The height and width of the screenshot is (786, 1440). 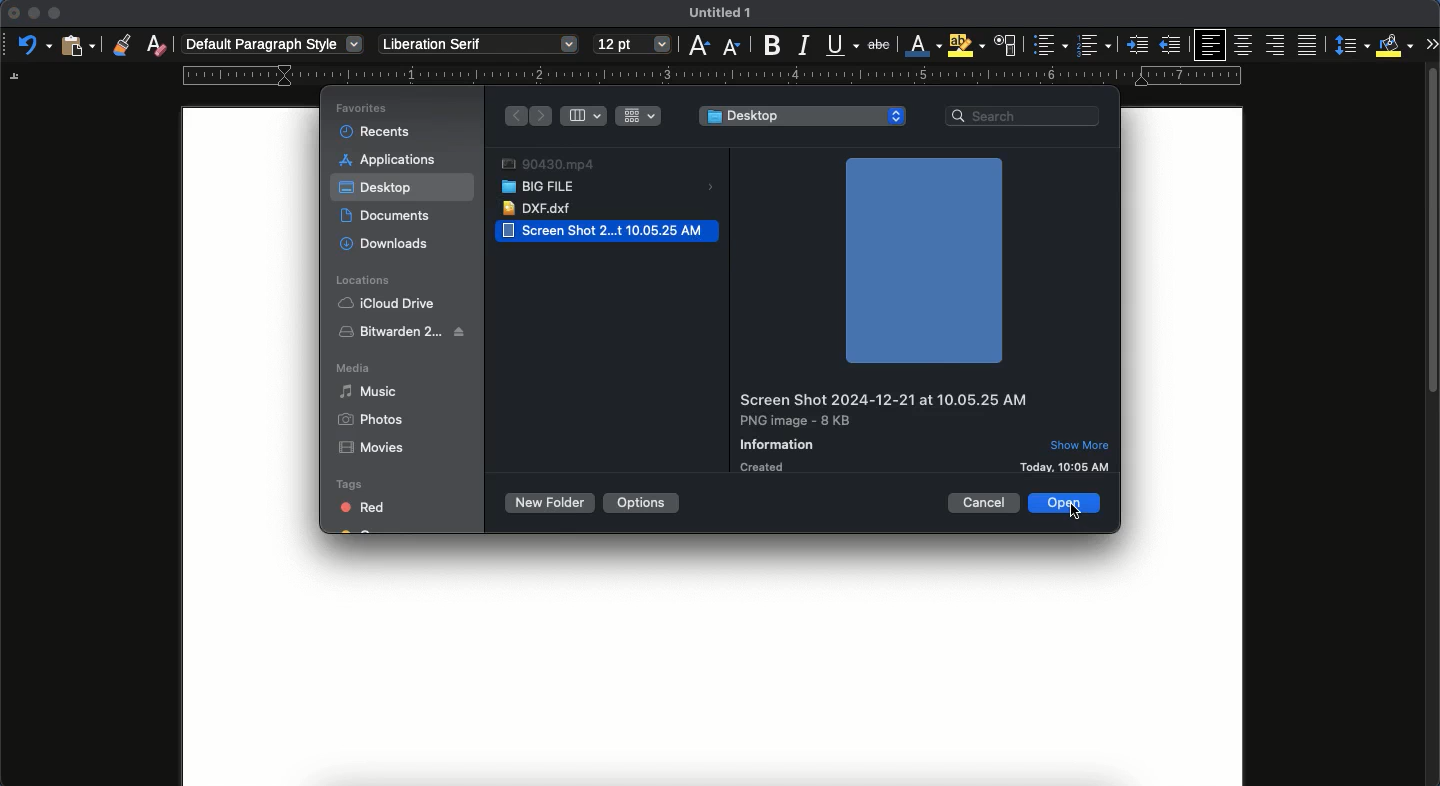 What do you see at coordinates (608, 230) in the screenshot?
I see `Screen Shot 2...t 10.05.25 AM image` at bounding box center [608, 230].